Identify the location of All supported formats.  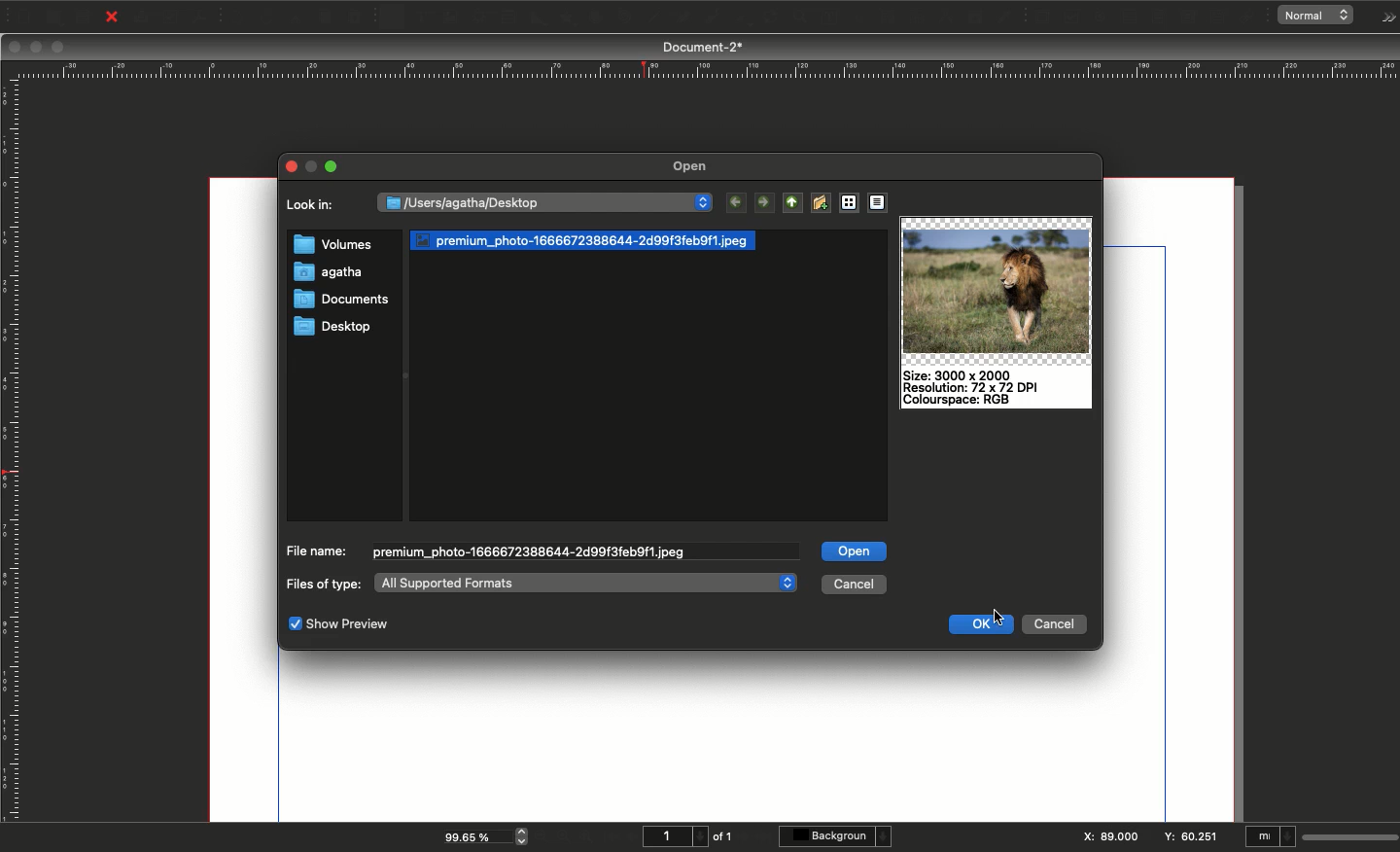
(584, 583).